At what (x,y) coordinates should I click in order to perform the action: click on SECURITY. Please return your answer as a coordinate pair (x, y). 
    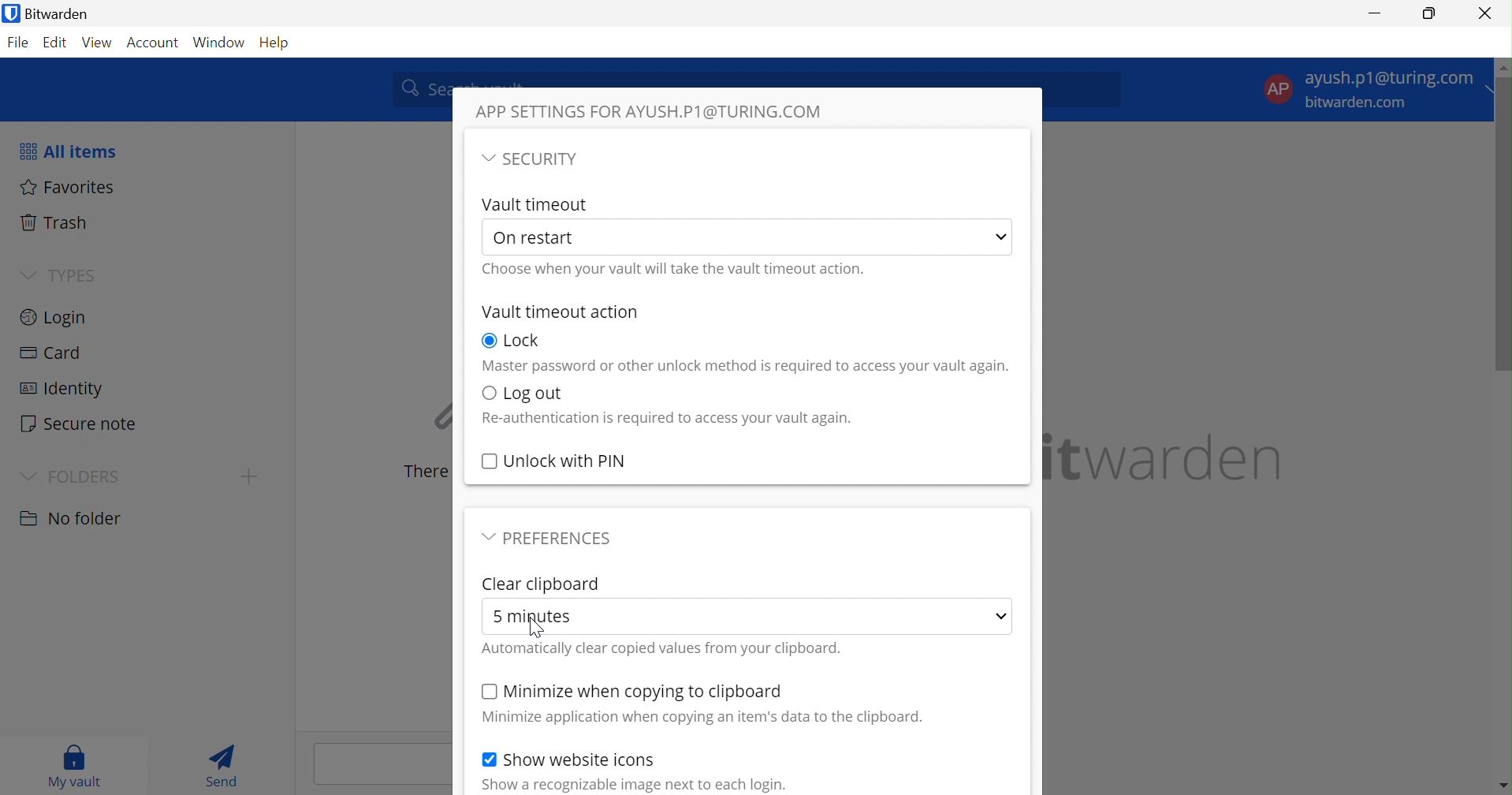
    Looking at the image, I should click on (546, 159).